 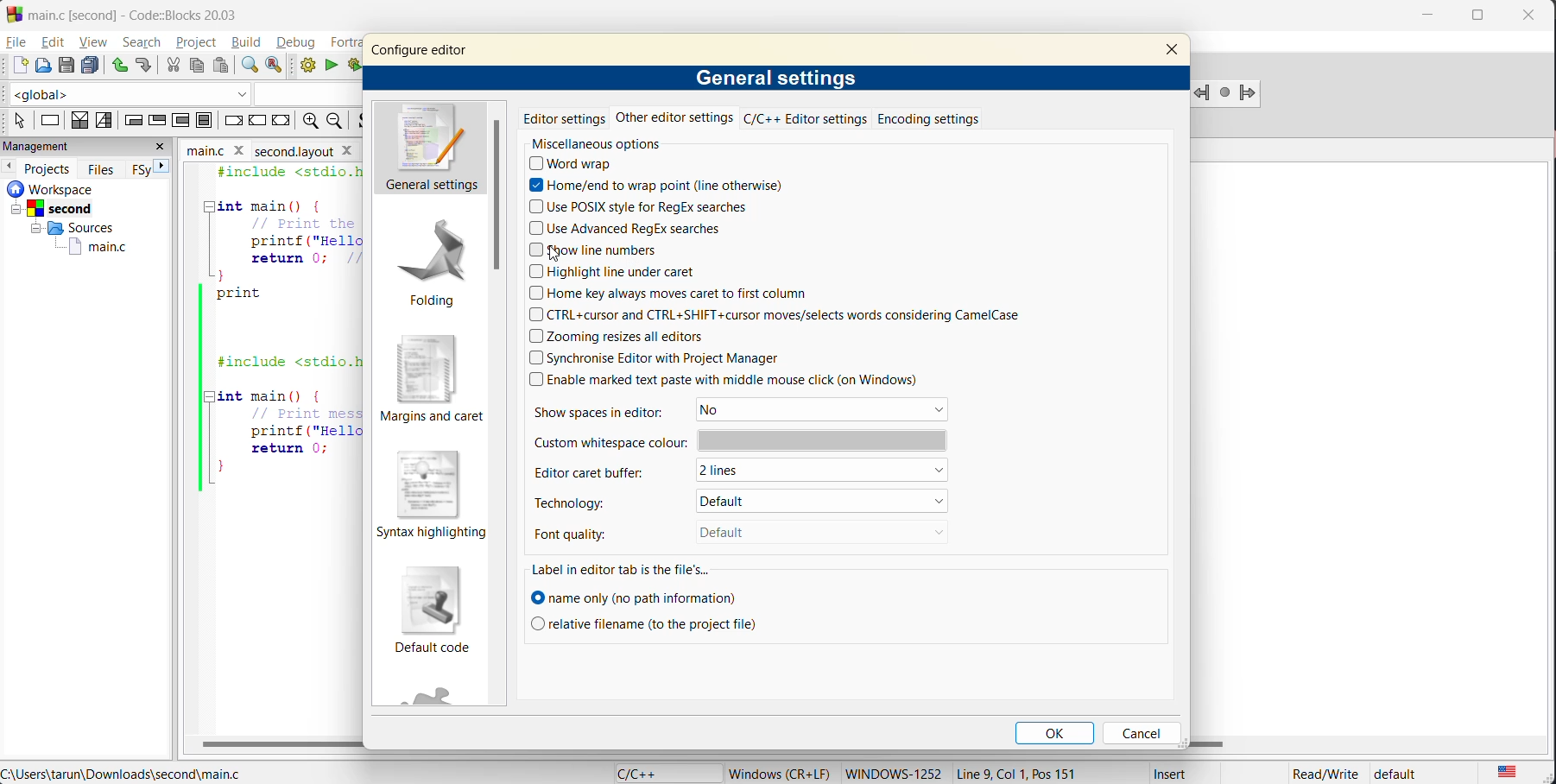 What do you see at coordinates (642, 623) in the screenshot?
I see `relative filename to the project file` at bounding box center [642, 623].